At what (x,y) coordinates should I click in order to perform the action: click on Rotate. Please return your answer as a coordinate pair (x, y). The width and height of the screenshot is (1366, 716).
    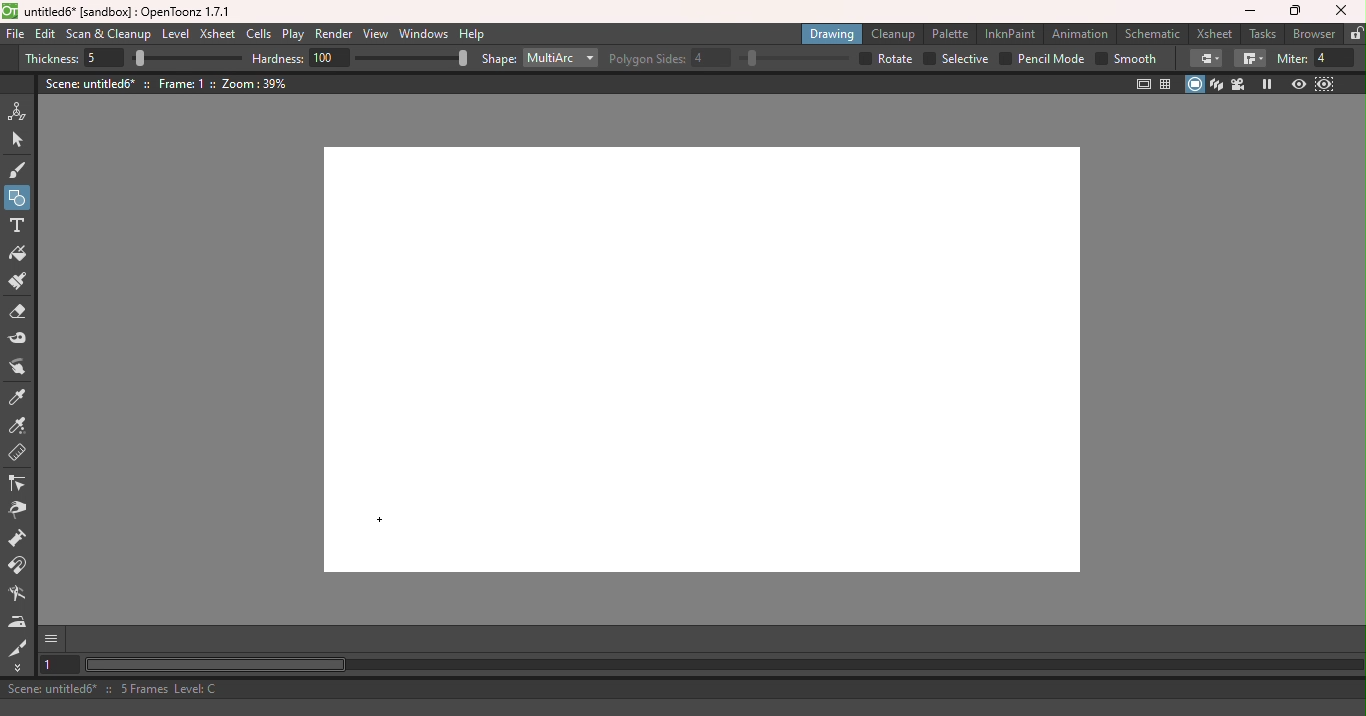
    Looking at the image, I should click on (886, 59).